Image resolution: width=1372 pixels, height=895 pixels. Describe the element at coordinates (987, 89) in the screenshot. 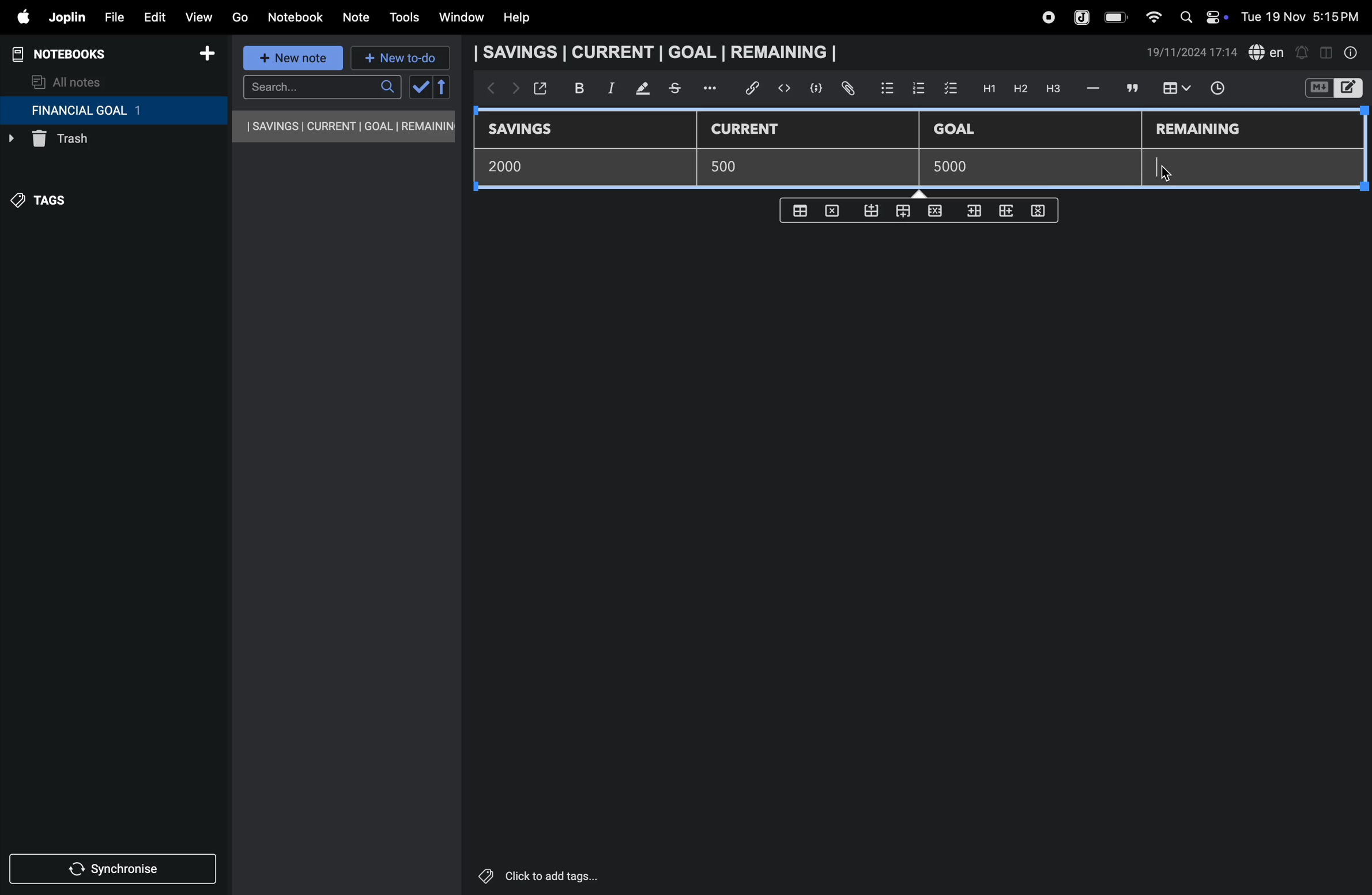

I see `H1` at that location.